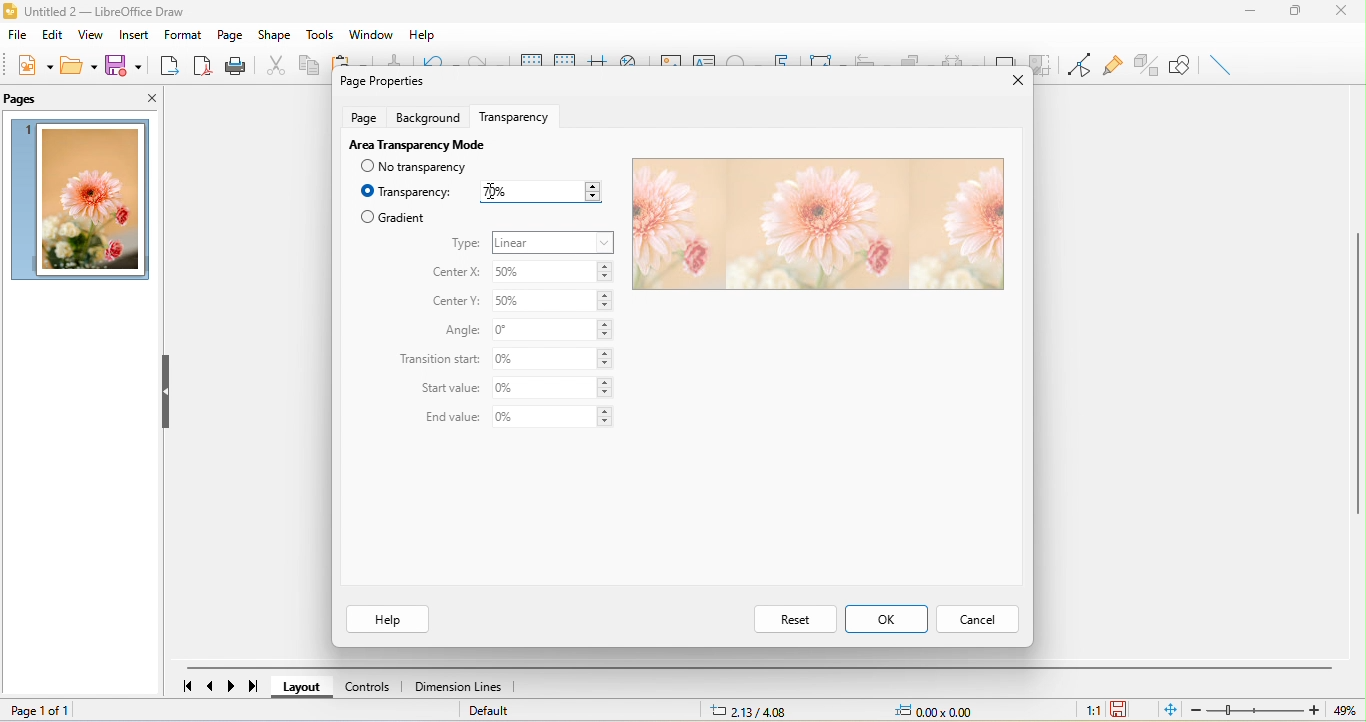 The height and width of the screenshot is (722, 1366). I want to click on previous page, so click(213, 684).